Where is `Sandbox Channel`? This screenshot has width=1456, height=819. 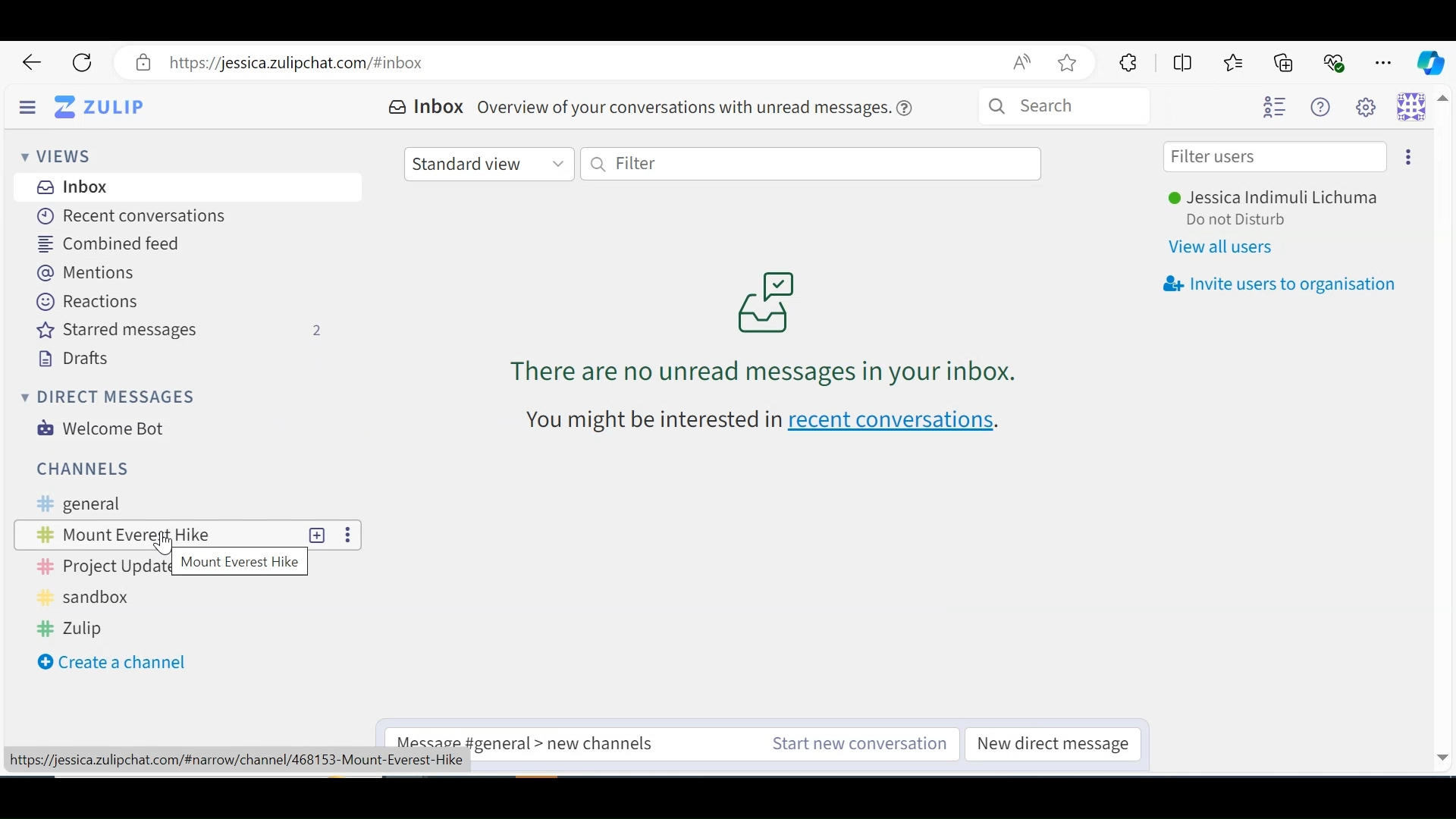 Sandbox Channel is located at coordinates (99, 598).